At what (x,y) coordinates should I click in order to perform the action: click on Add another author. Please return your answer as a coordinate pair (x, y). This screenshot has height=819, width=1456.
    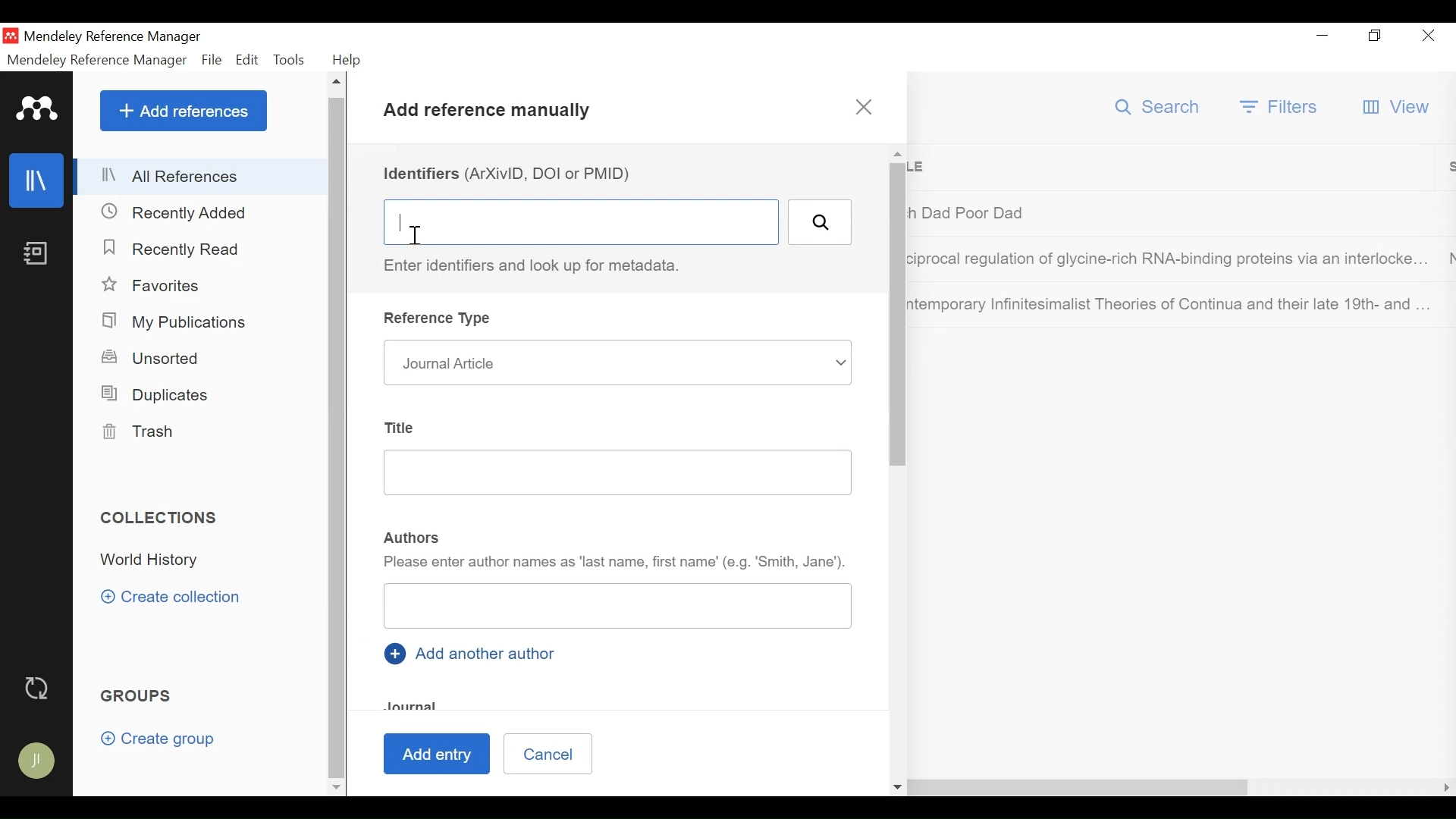
    Looking at the image, I should click on (473, 652).